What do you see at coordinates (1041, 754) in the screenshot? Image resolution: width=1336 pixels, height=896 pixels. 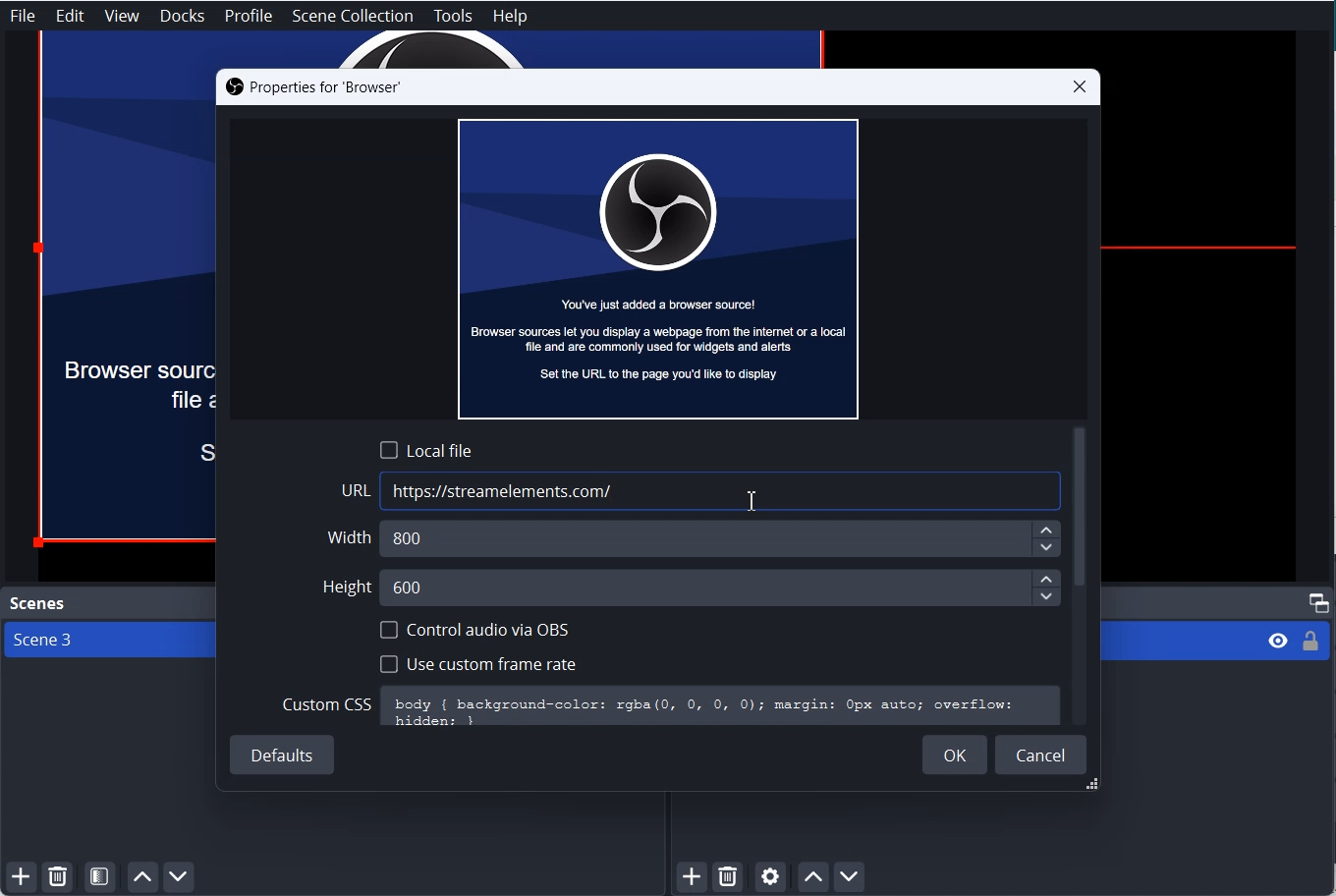 I see `Cancel` at bounding box center [1041, 754].